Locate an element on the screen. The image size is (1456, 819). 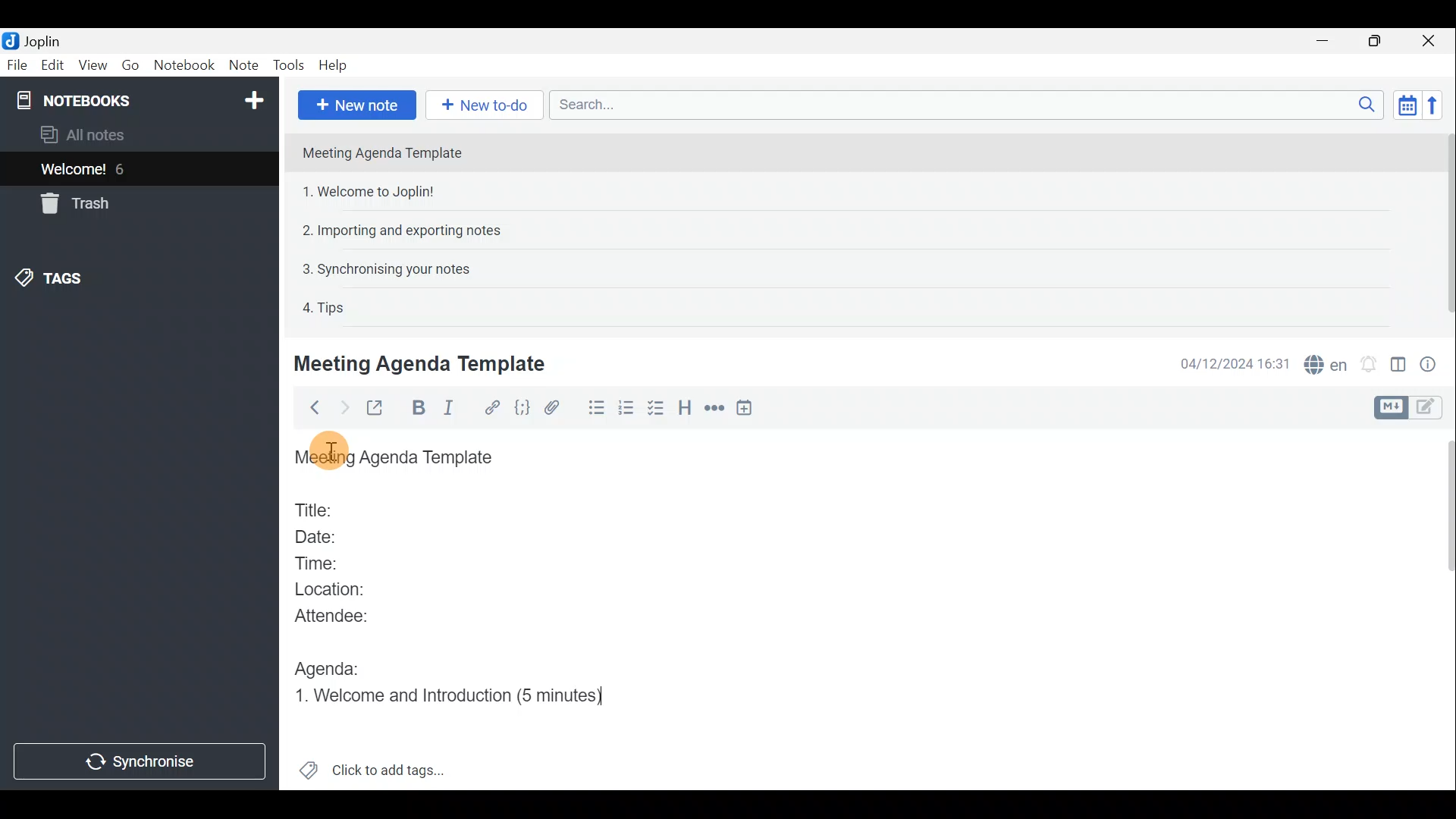
Minimise is located at coordinates (1325, 40).